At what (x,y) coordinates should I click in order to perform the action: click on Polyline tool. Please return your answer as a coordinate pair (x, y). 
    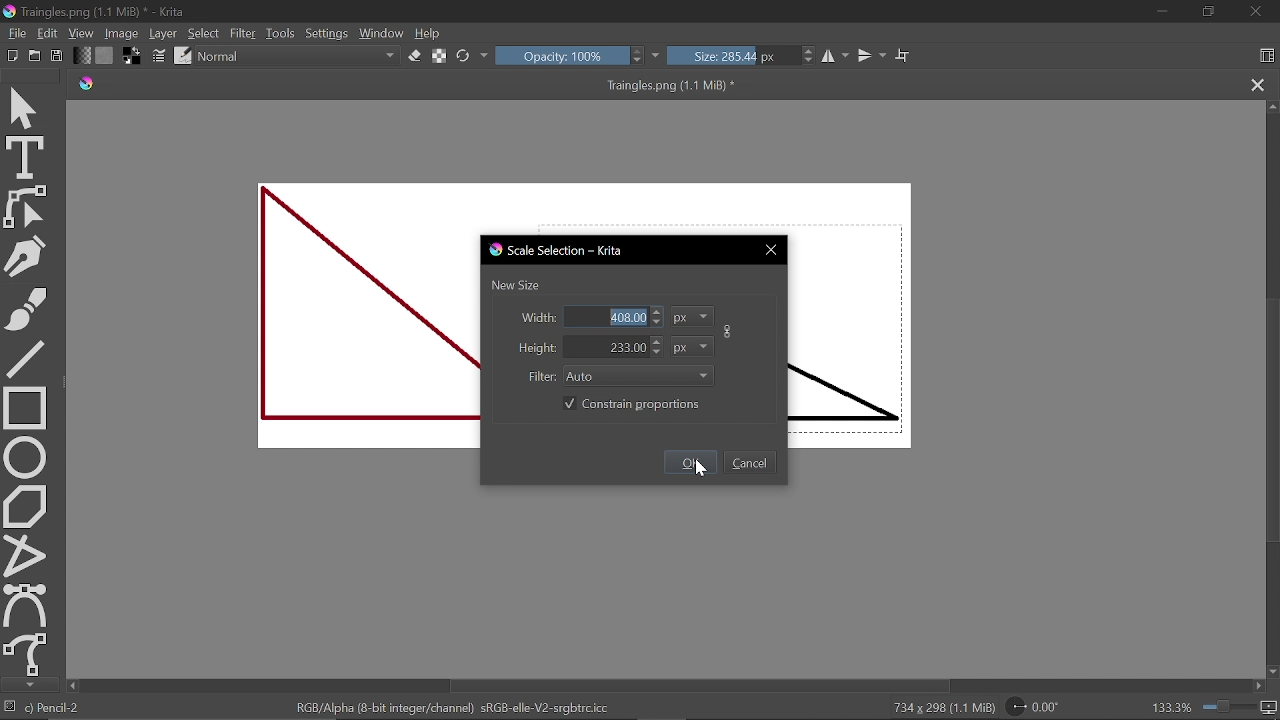
    Looking at the image, I should click on (25, 555).